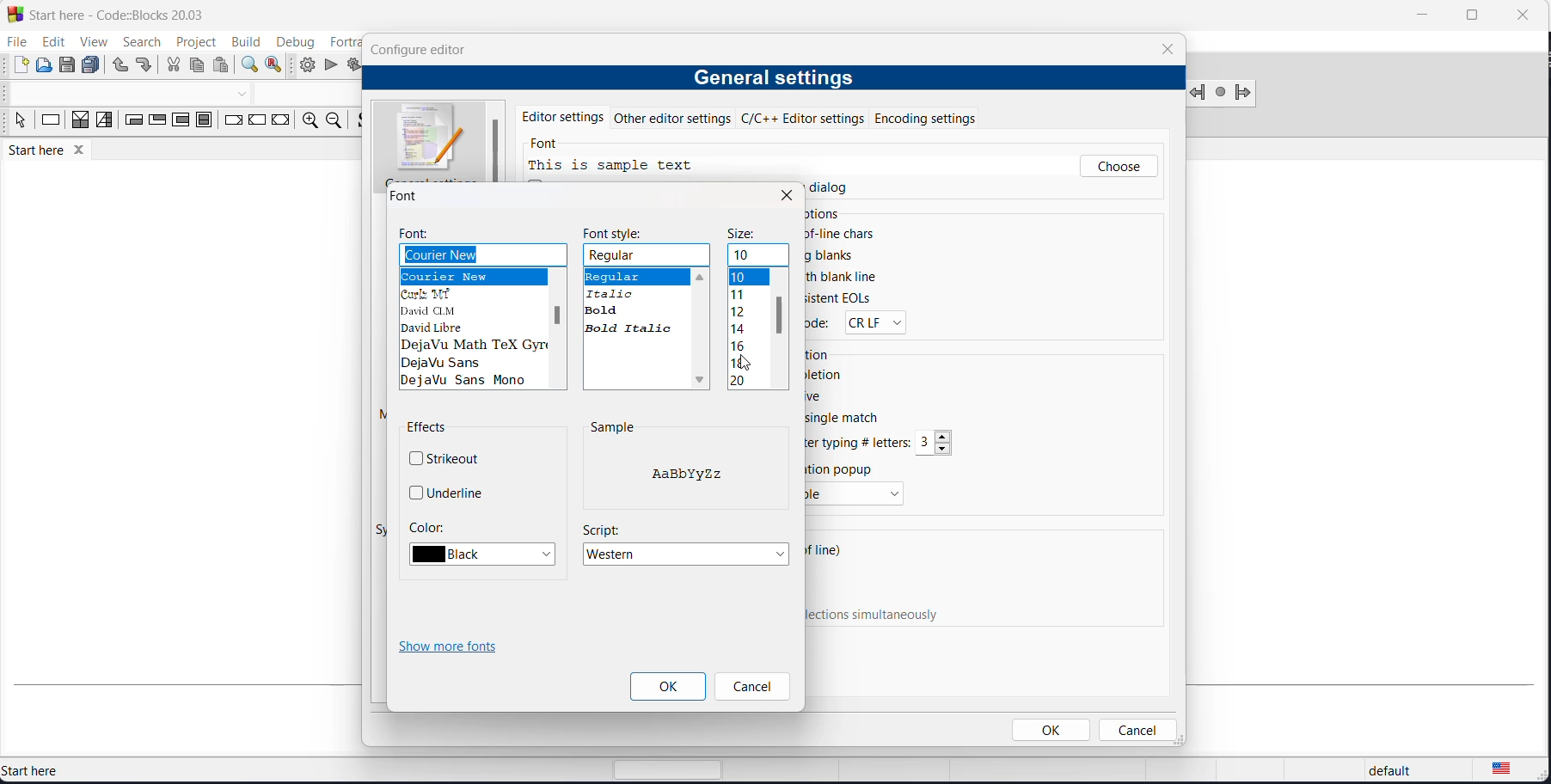  Describe the element at coordinates (15, 42) in the screenshot. I see `file` at that location.